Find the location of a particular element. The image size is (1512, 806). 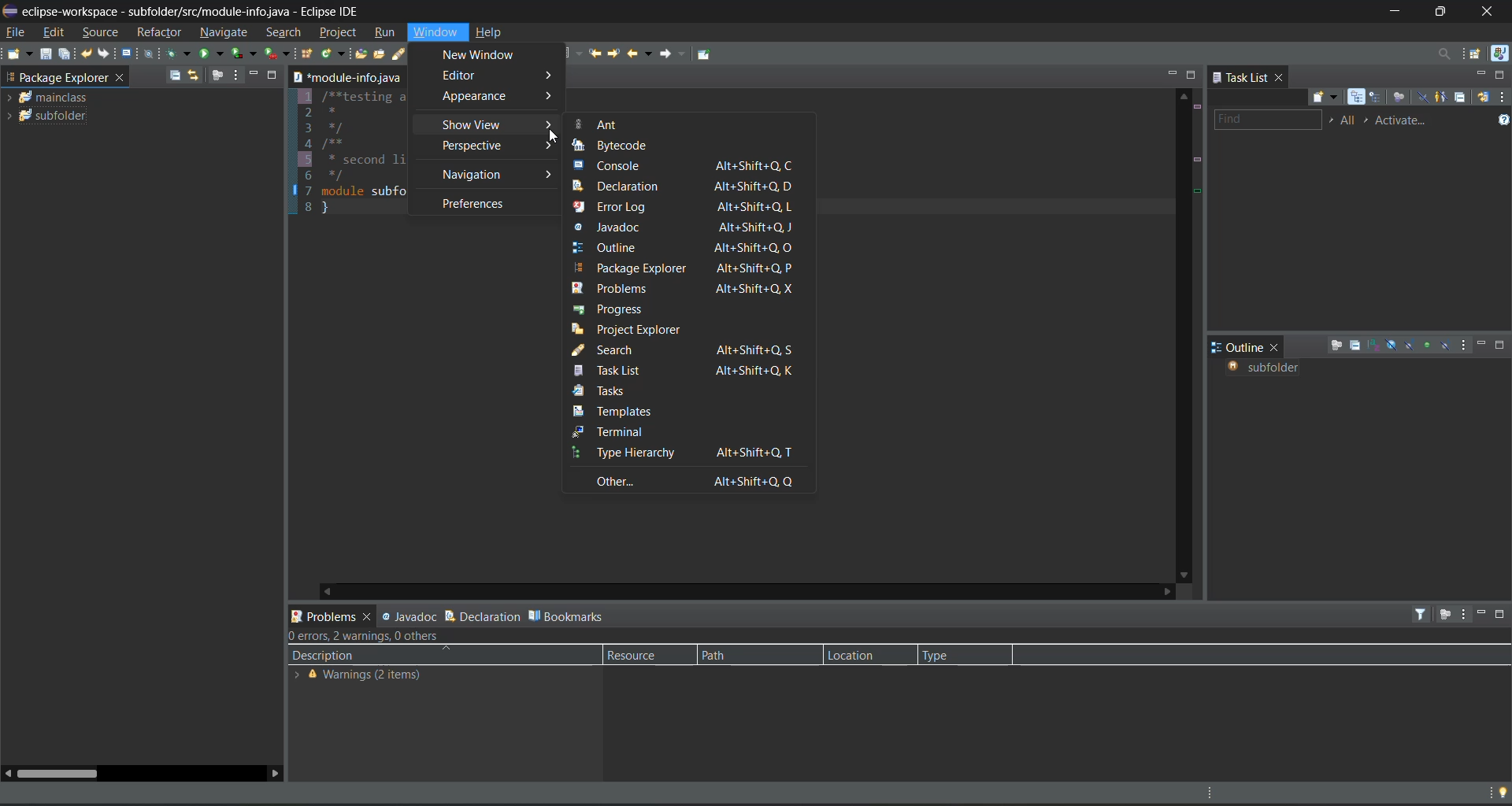

hide completed tasks is located at coordinates (1425, 98).